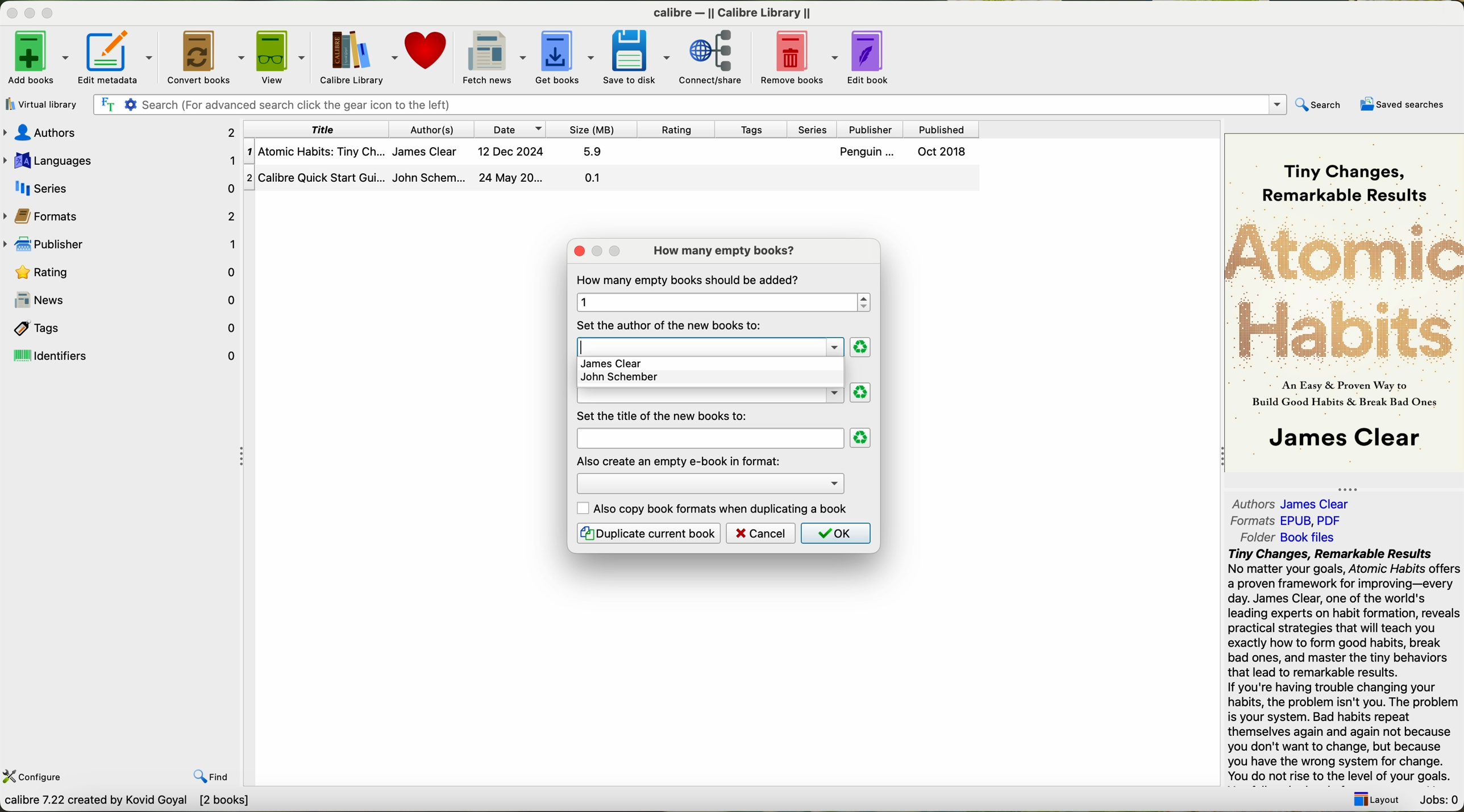 This screenshot has height=812, width=1464. Describe the element at coordinates (620, 380) in the screenshot. I see `john schember` at that location.